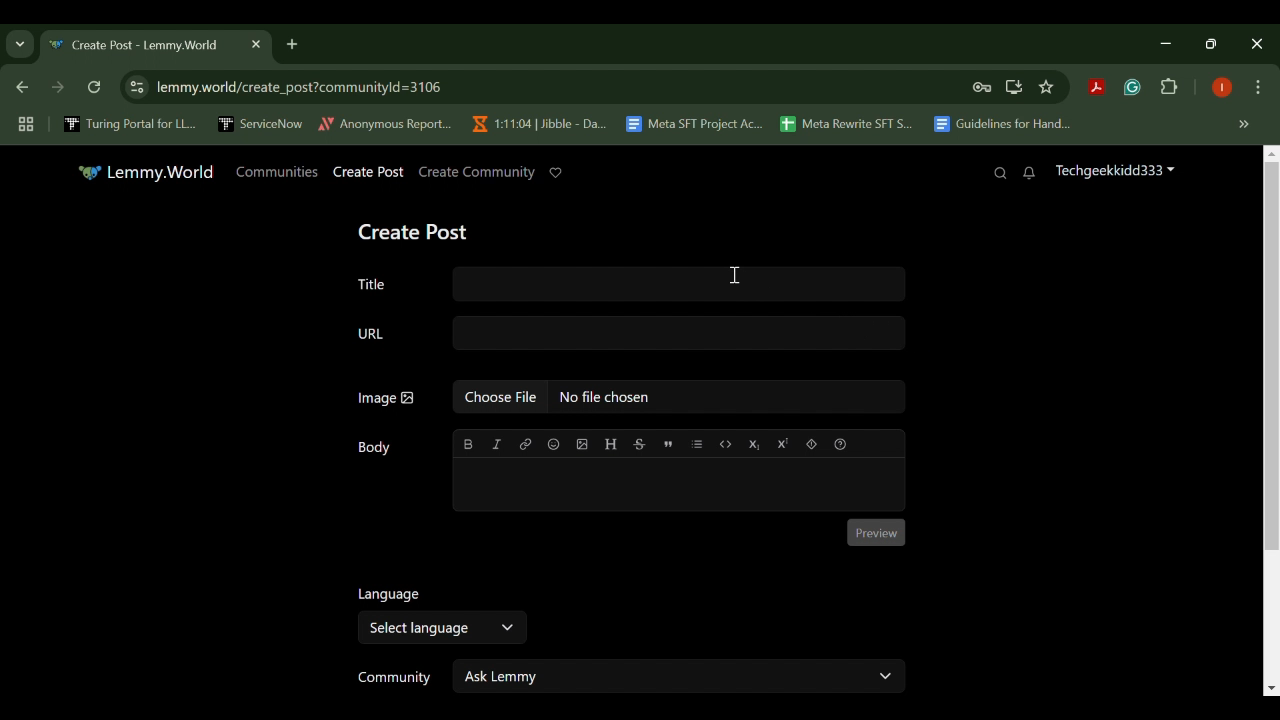 The width and height of the screenshot is (1280, 720). What do you see at coordinates (386, 124) in the screenshot?
I see `Anonymous Report...` at bounding box center [386, 124].